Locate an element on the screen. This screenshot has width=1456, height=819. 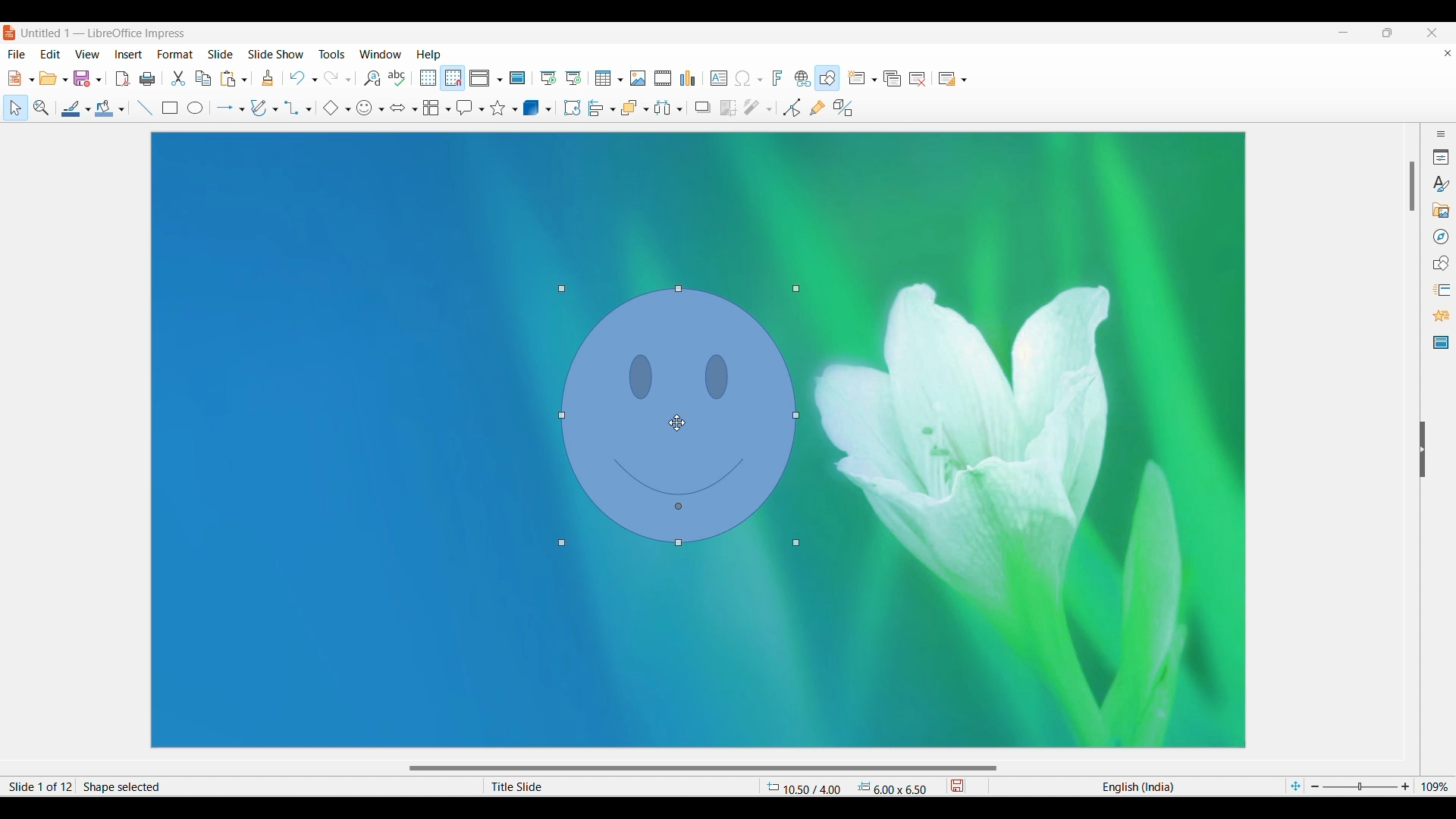
Properties is located at coordinates (1441, 157).